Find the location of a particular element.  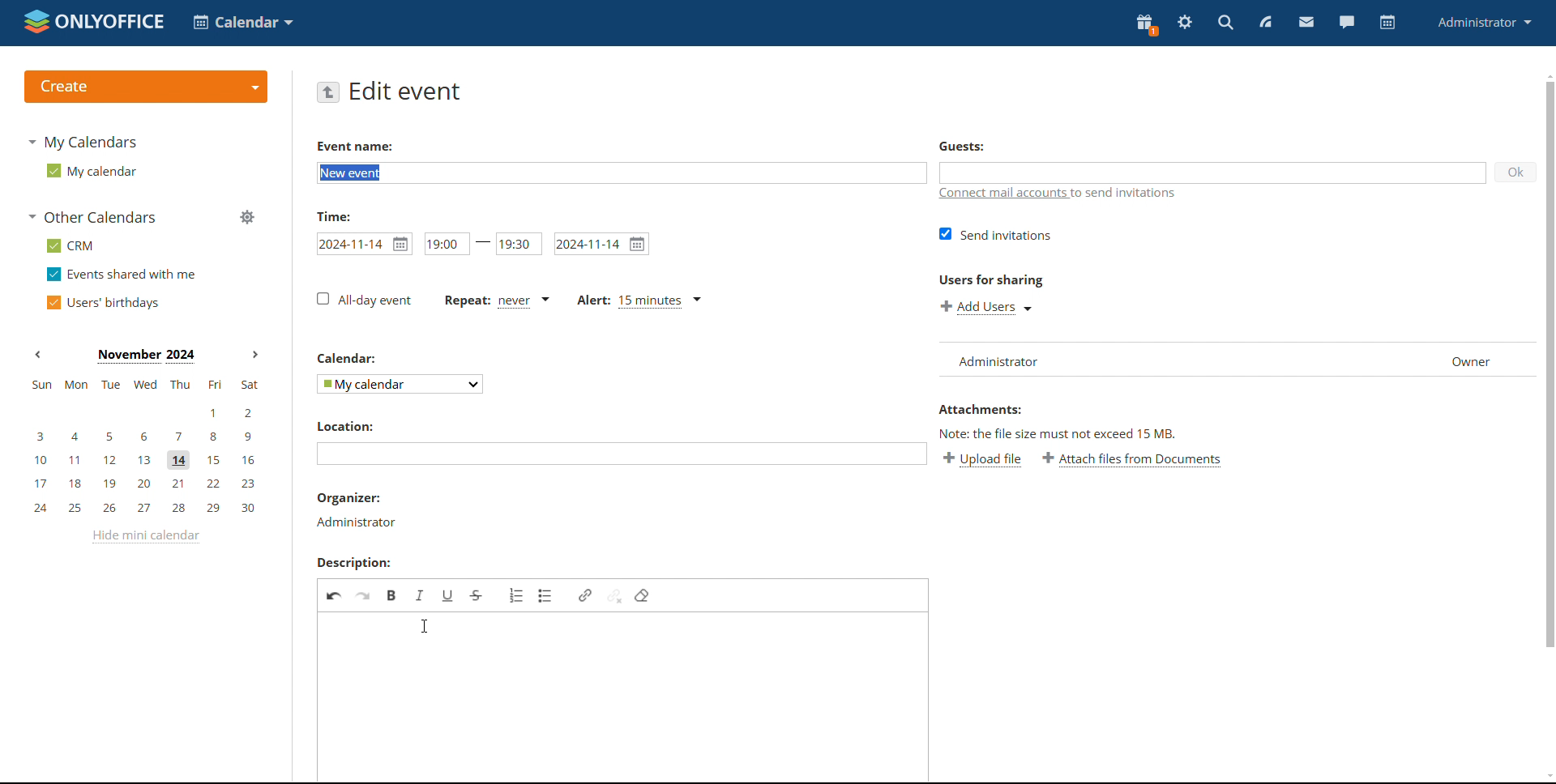

insert/remove numbered list is located at coordinates (516, 594).